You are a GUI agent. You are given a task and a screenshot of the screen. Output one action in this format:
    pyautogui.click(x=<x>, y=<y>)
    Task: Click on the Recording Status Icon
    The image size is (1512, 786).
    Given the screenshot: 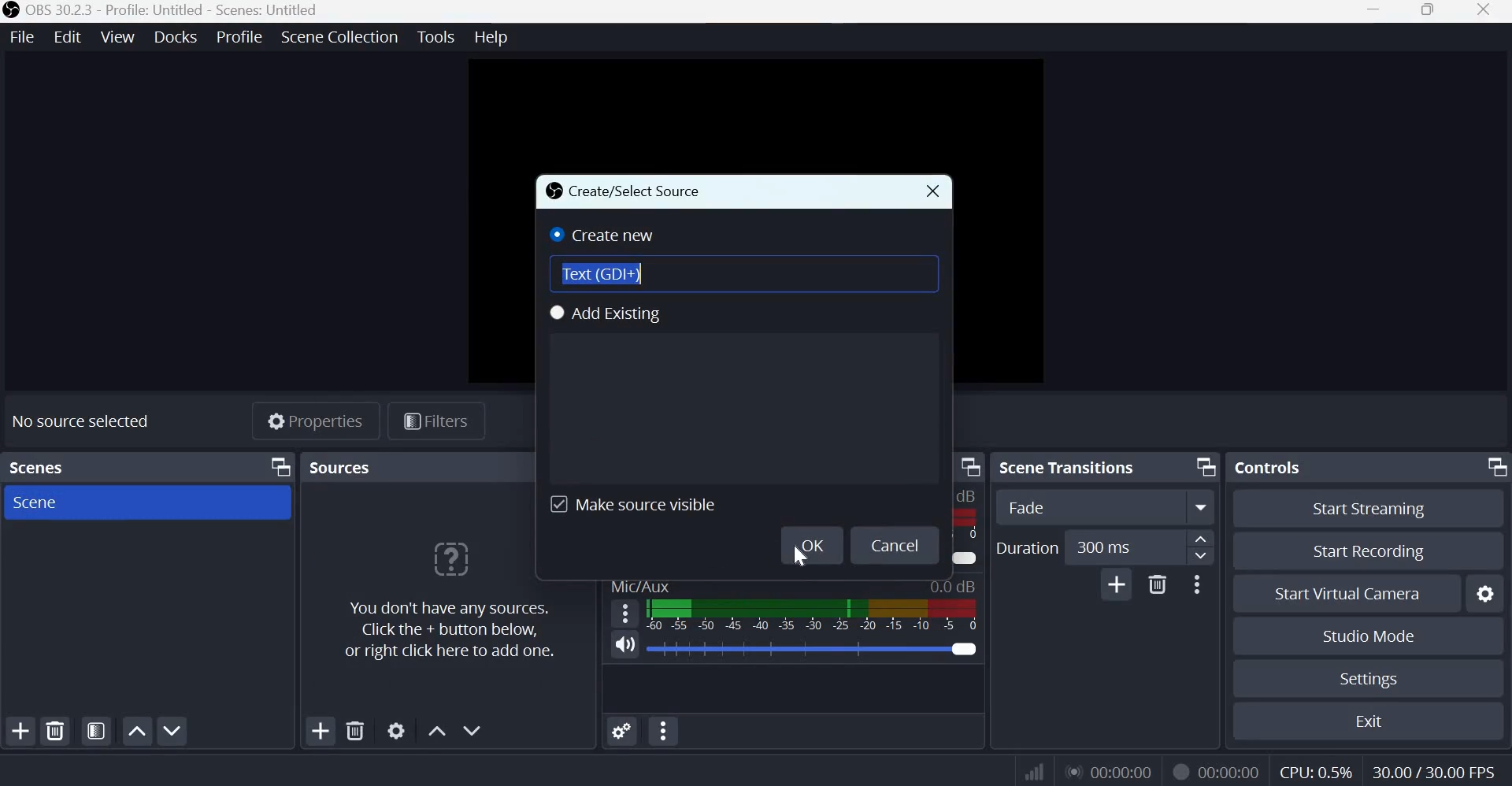 What is the action you would take?
    pyautogui.click(x=1178, y=771)
    